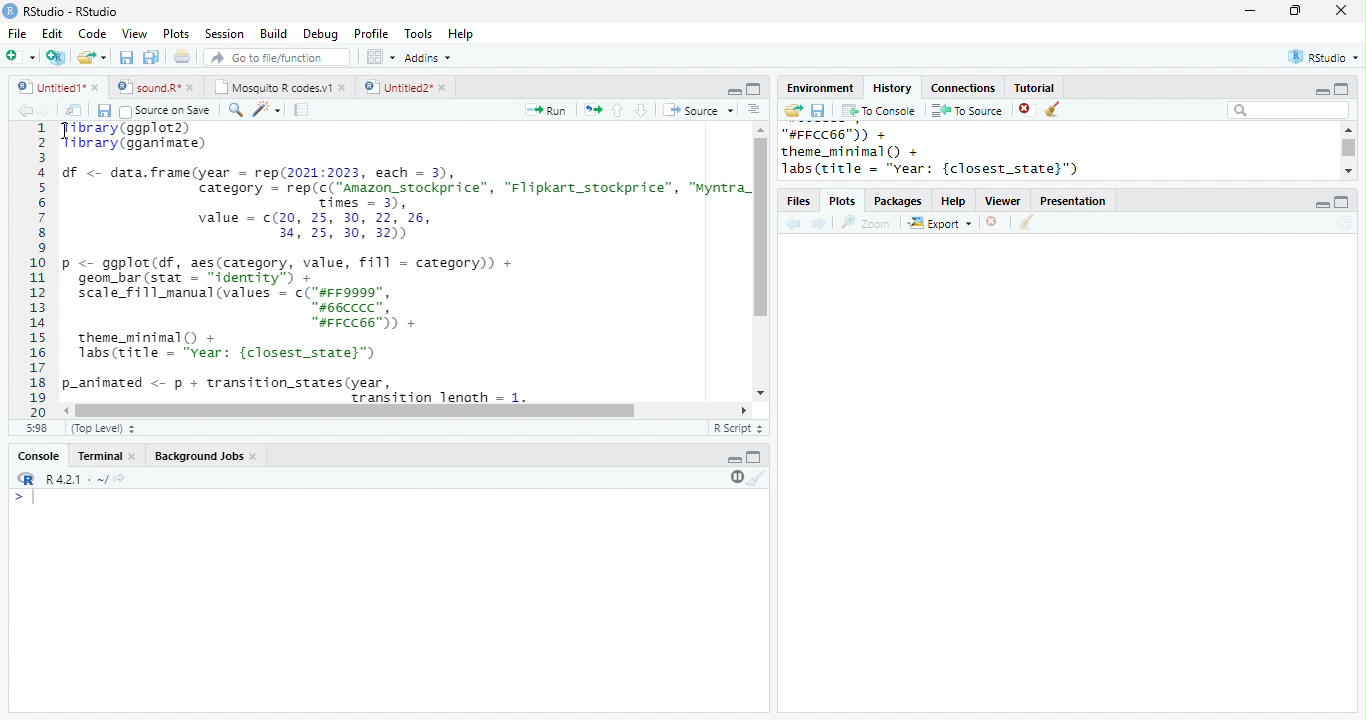 This screenshot has width=1366, height=720. I want to click on scroll down, so click(1347, 171).